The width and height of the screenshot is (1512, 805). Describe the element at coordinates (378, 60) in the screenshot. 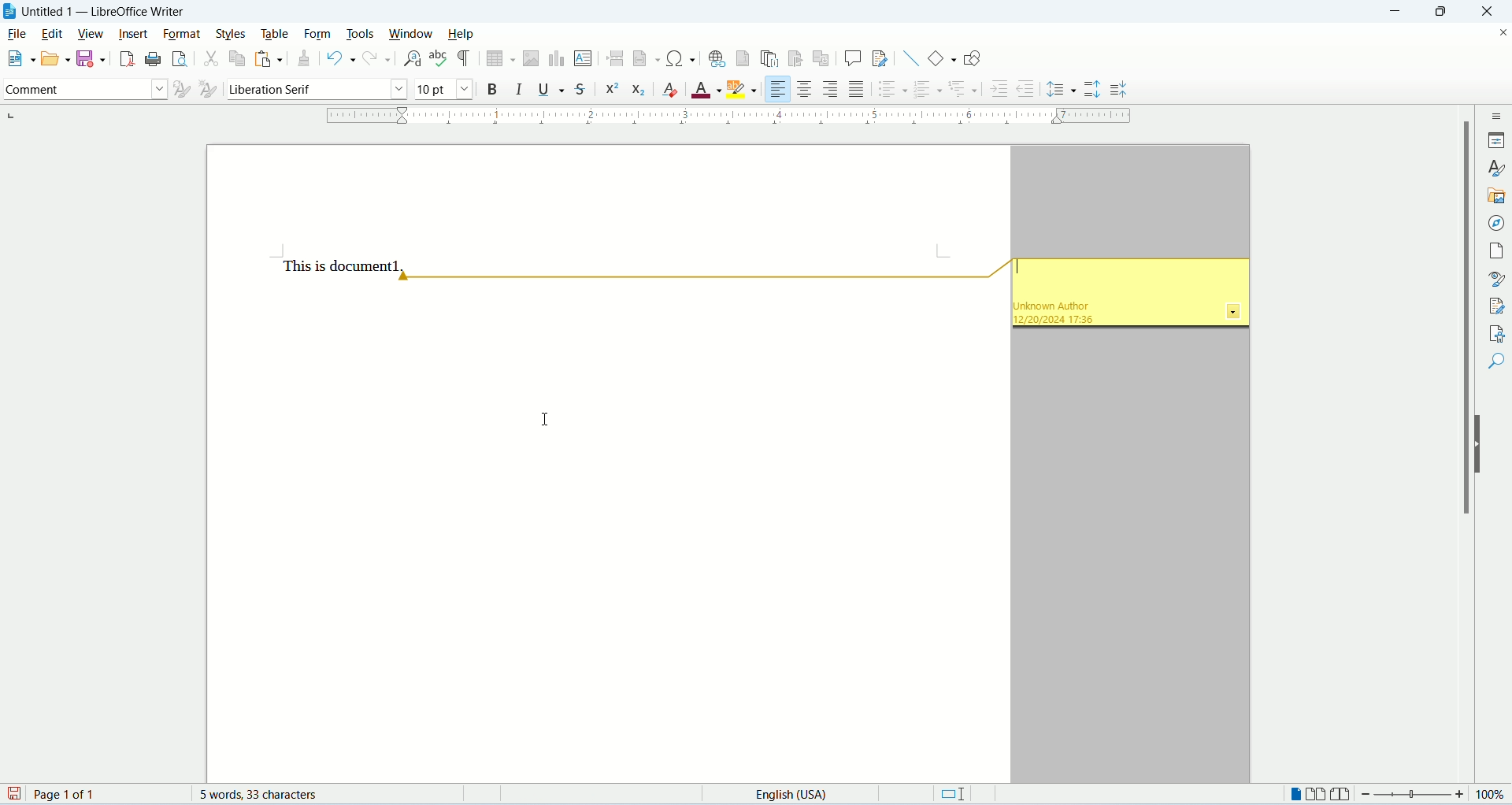

I see `redo` at that location.